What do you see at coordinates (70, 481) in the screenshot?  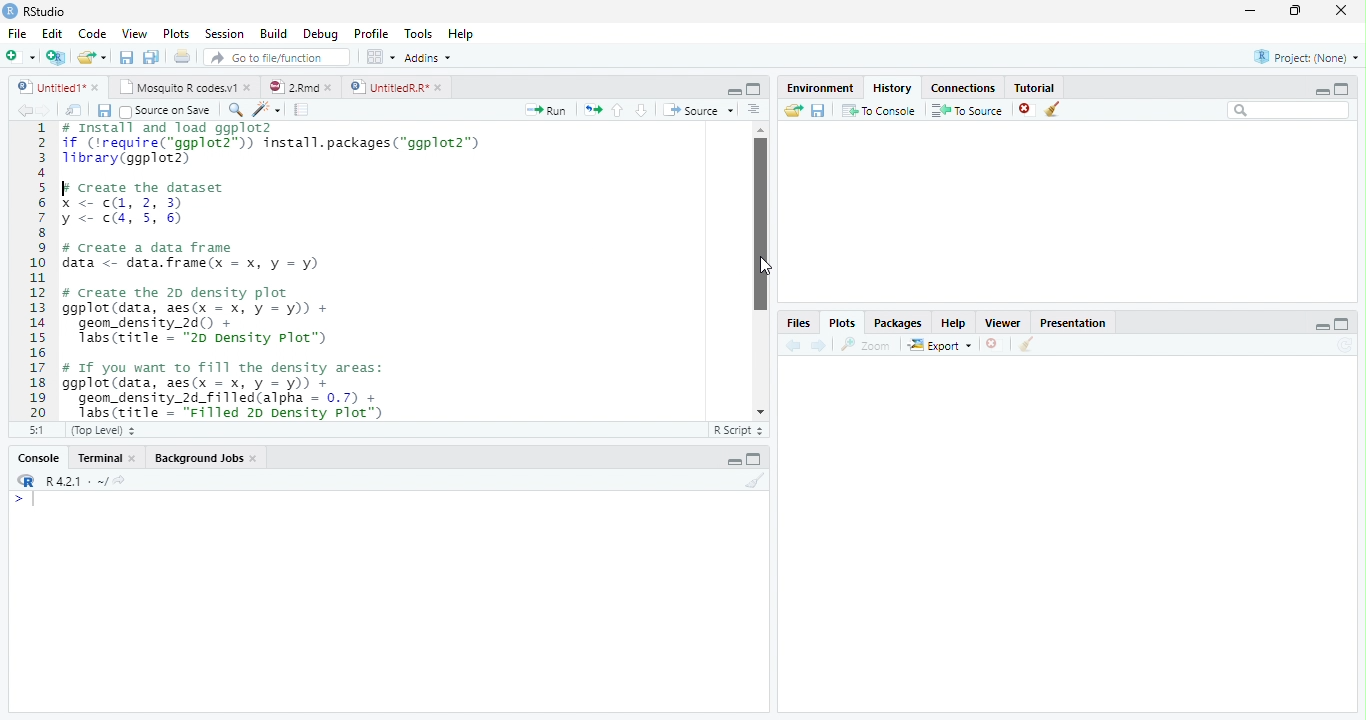 I see `R421 - ~/` at bounding box center [70, 481].